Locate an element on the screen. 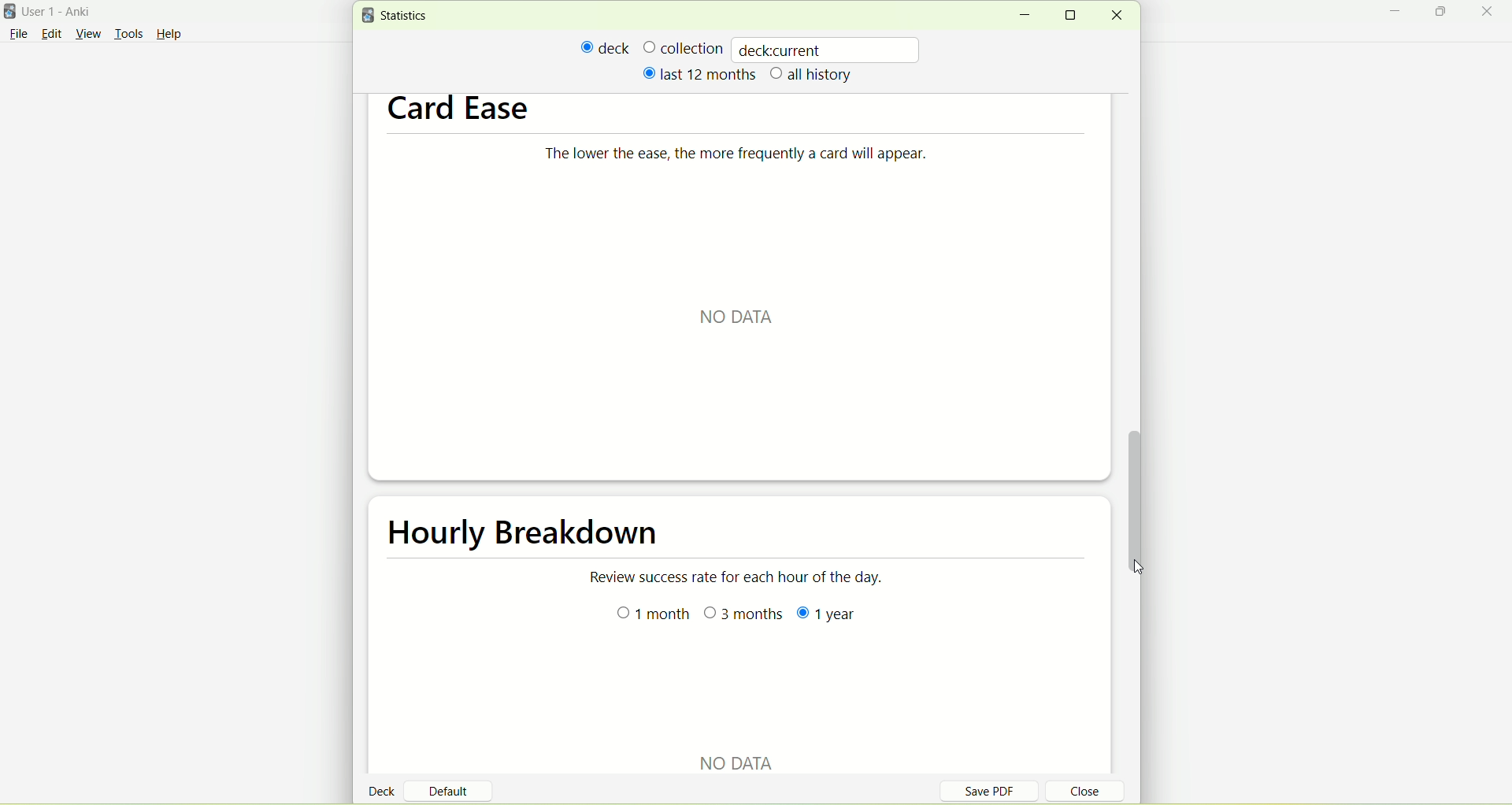  tools is located at coordinates (128, 35).